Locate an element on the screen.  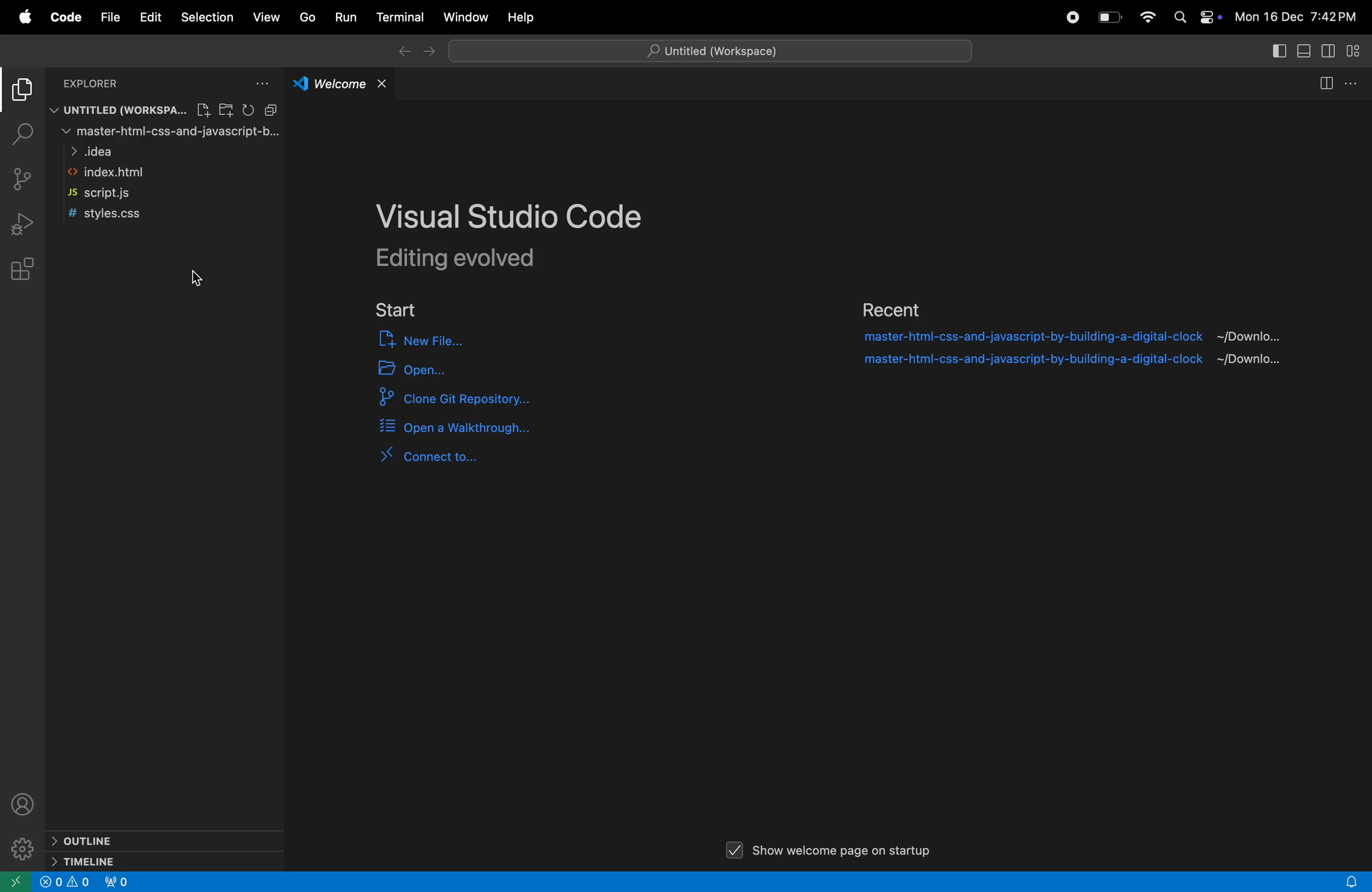
remove is located at coordinates (272, 109).